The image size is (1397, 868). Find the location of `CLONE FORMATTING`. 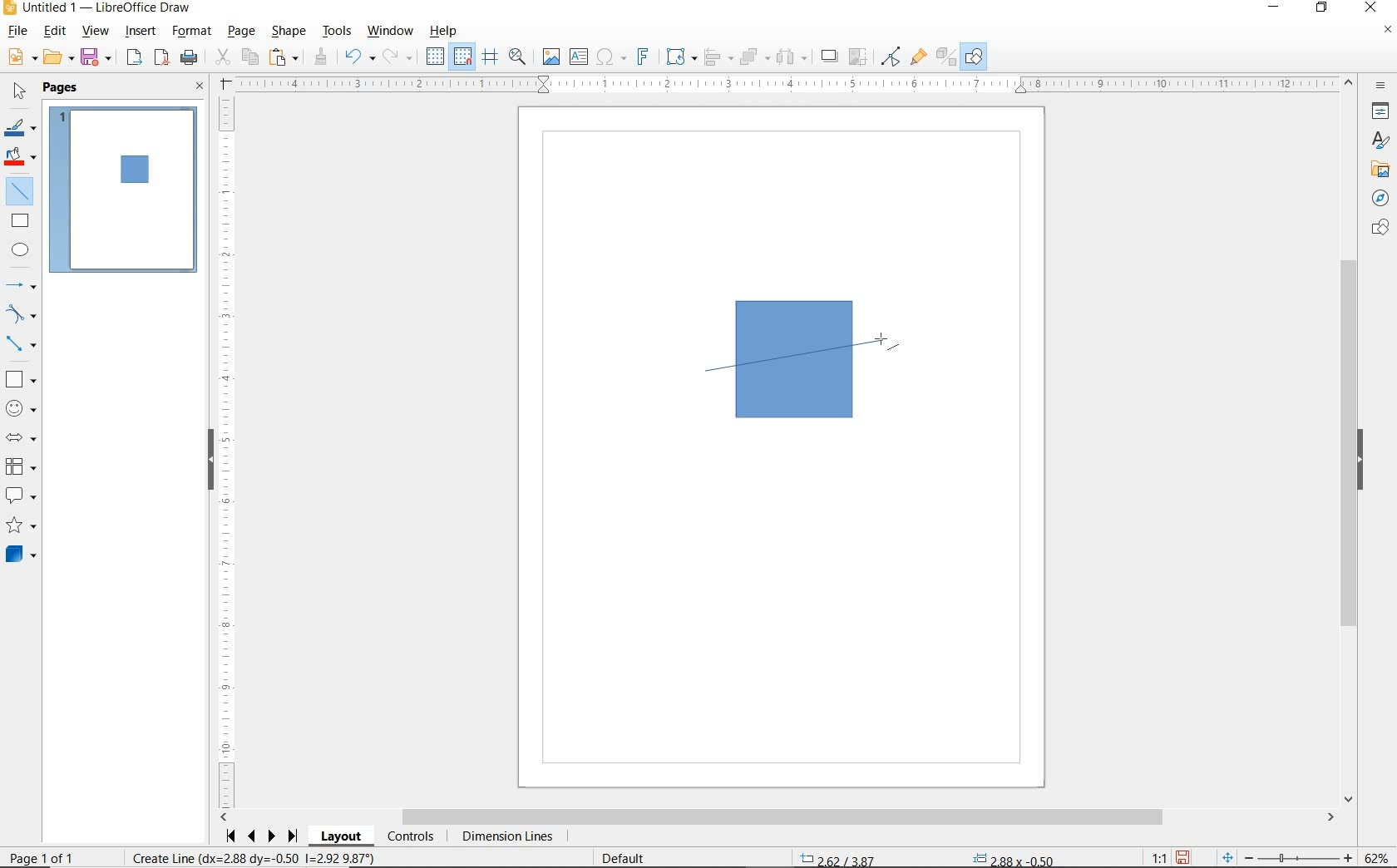

CLONE FORMATTING is located at coordinates (320, 57).